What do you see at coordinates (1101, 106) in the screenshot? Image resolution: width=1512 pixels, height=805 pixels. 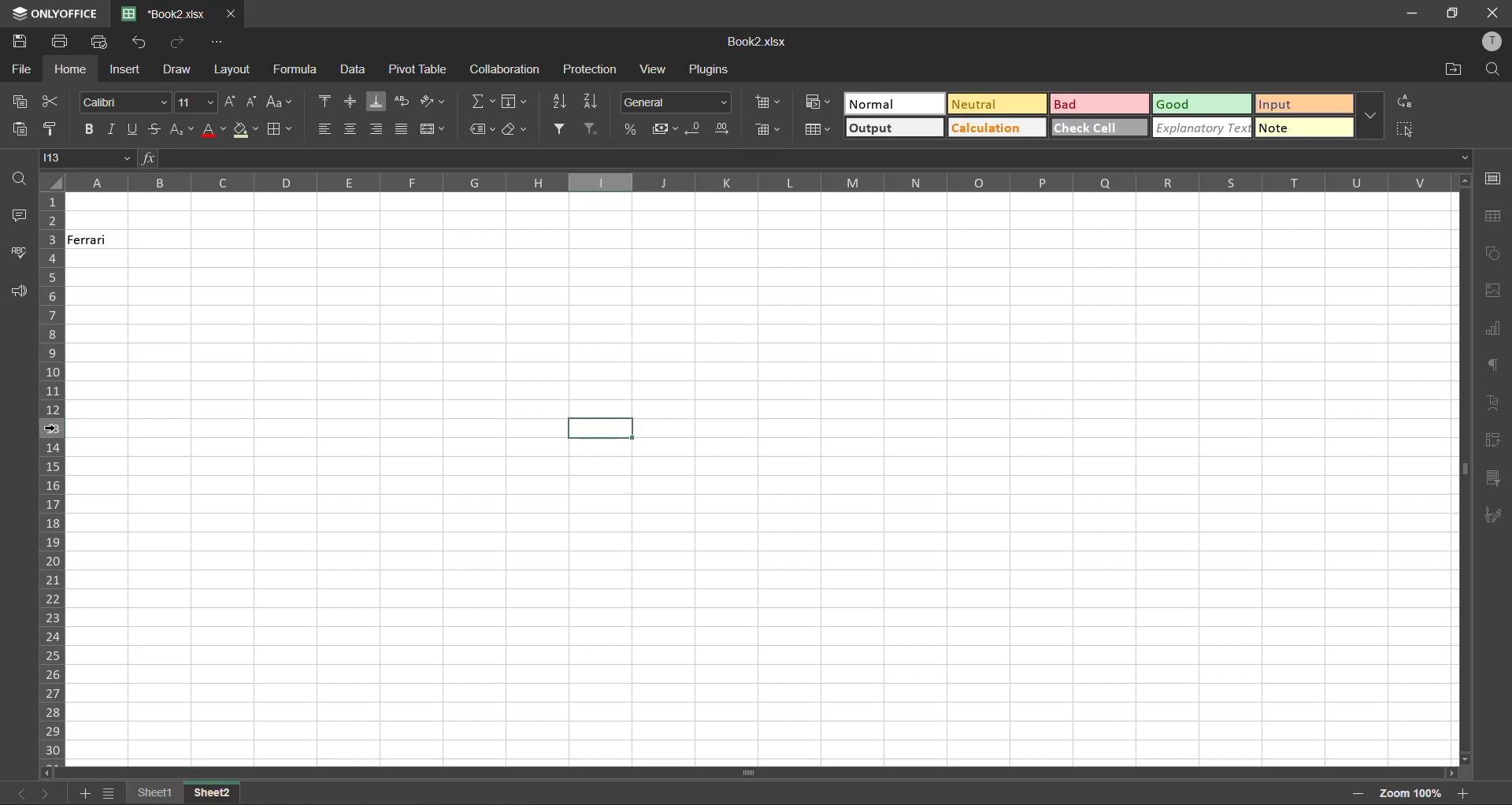 I see `bad` at bounding box center [1101, 106].